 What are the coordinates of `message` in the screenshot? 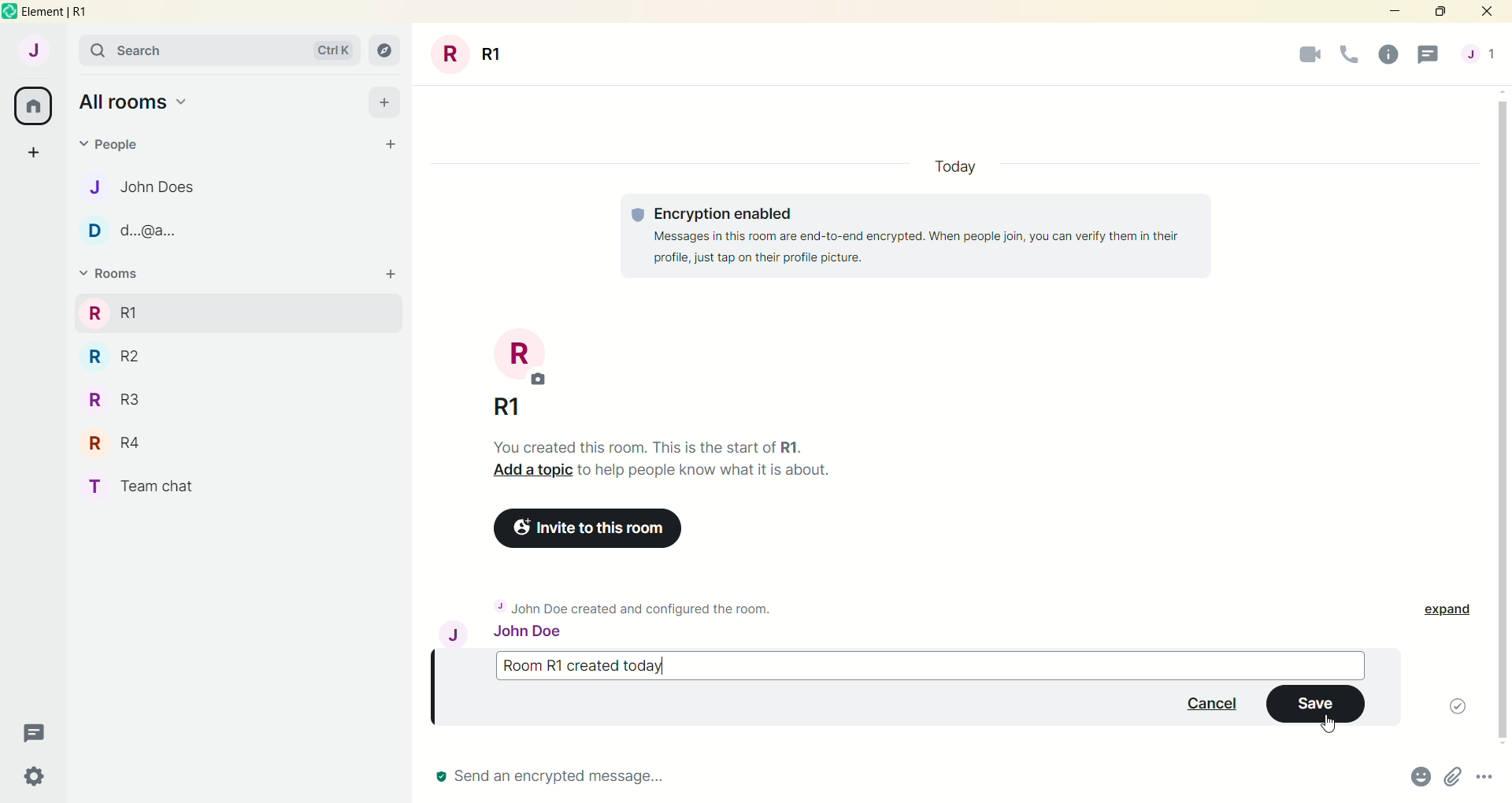 It's located at (787, 669).